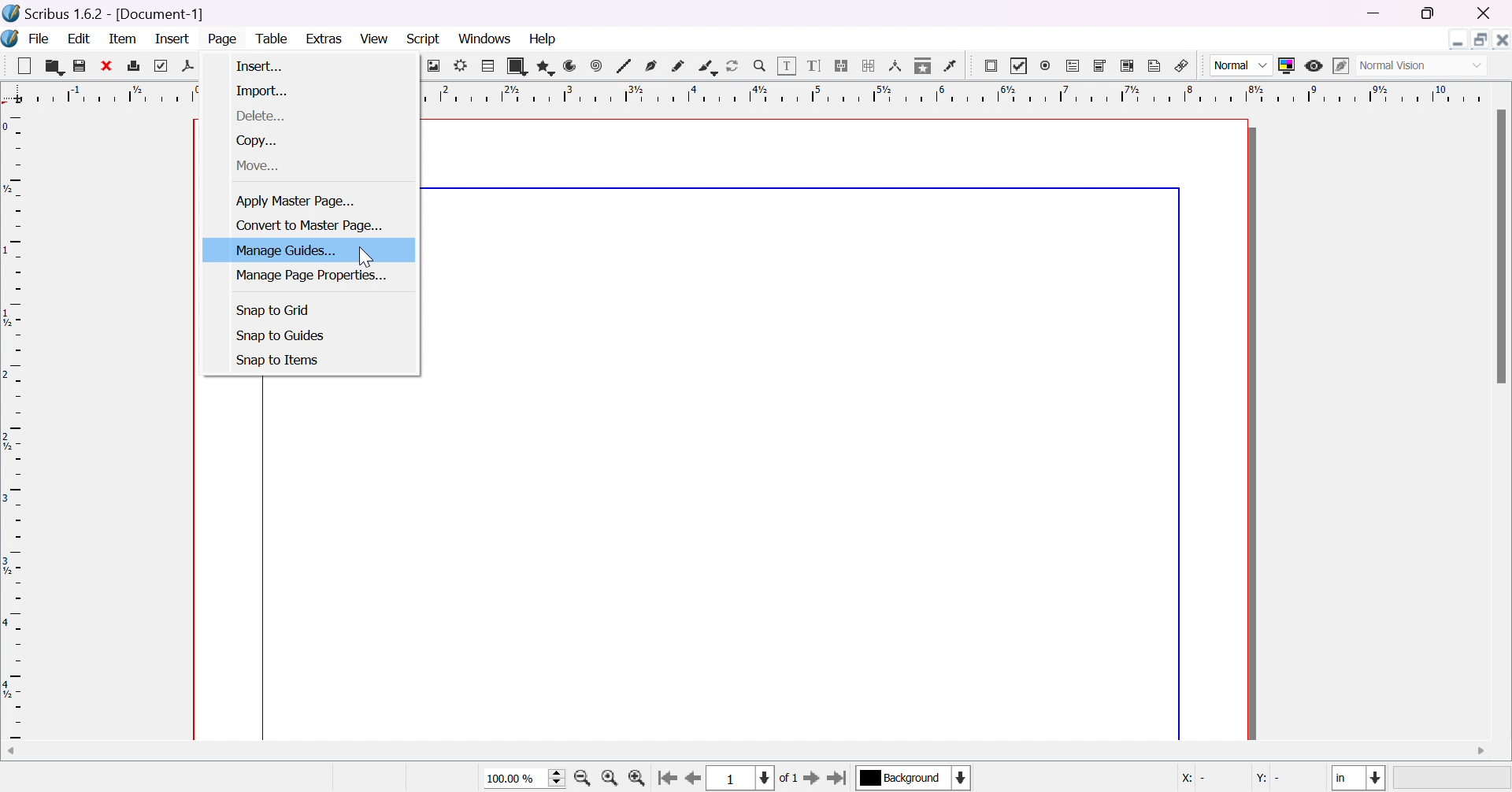 The height and width of the screenshot is (792, 1512). What do you see at coordinates (681, 68) in the screenshot?
I see `freehand line` at bounding box center [681, 68].